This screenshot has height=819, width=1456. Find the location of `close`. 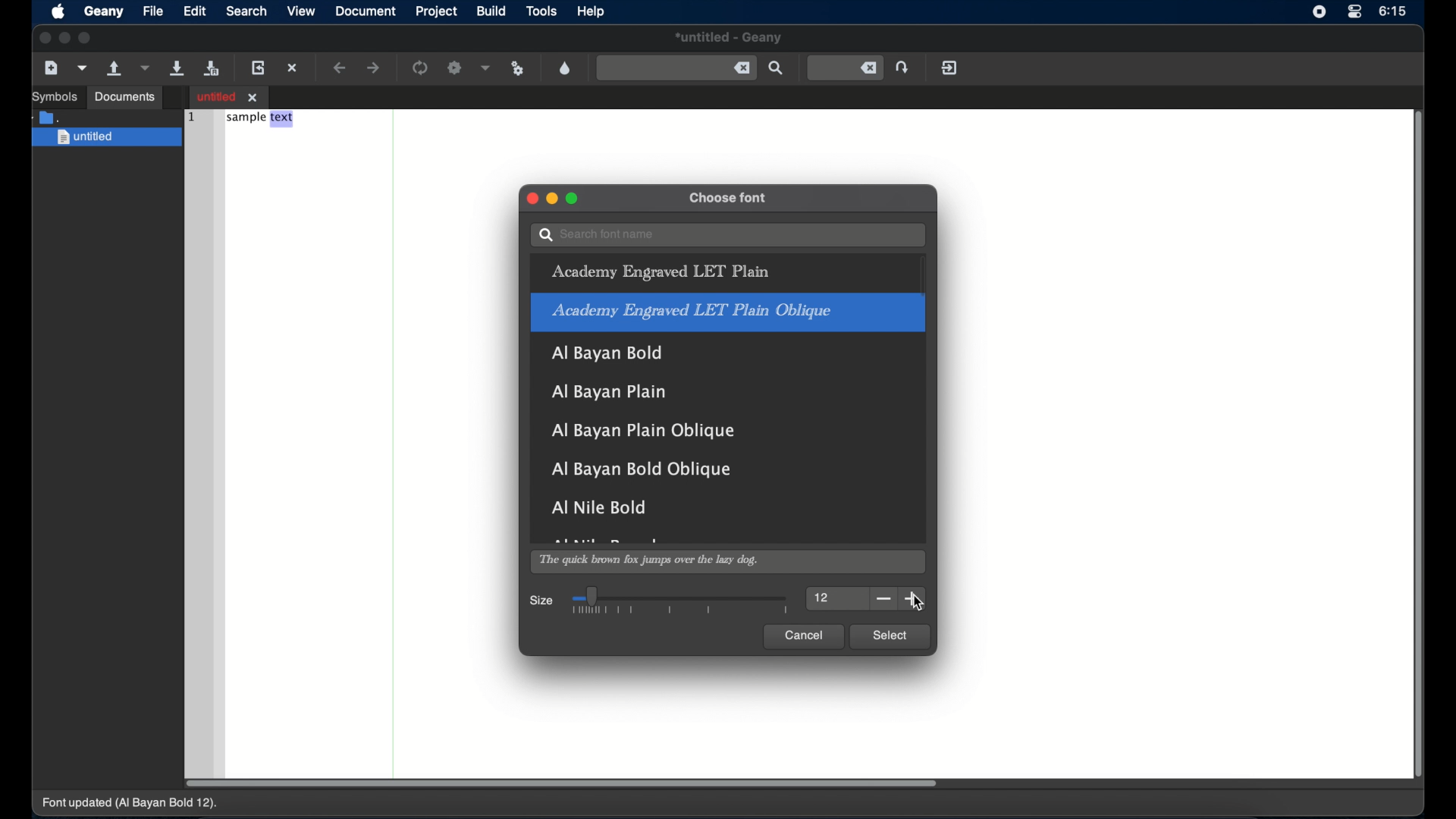

close is located at coordinates (530, 198).